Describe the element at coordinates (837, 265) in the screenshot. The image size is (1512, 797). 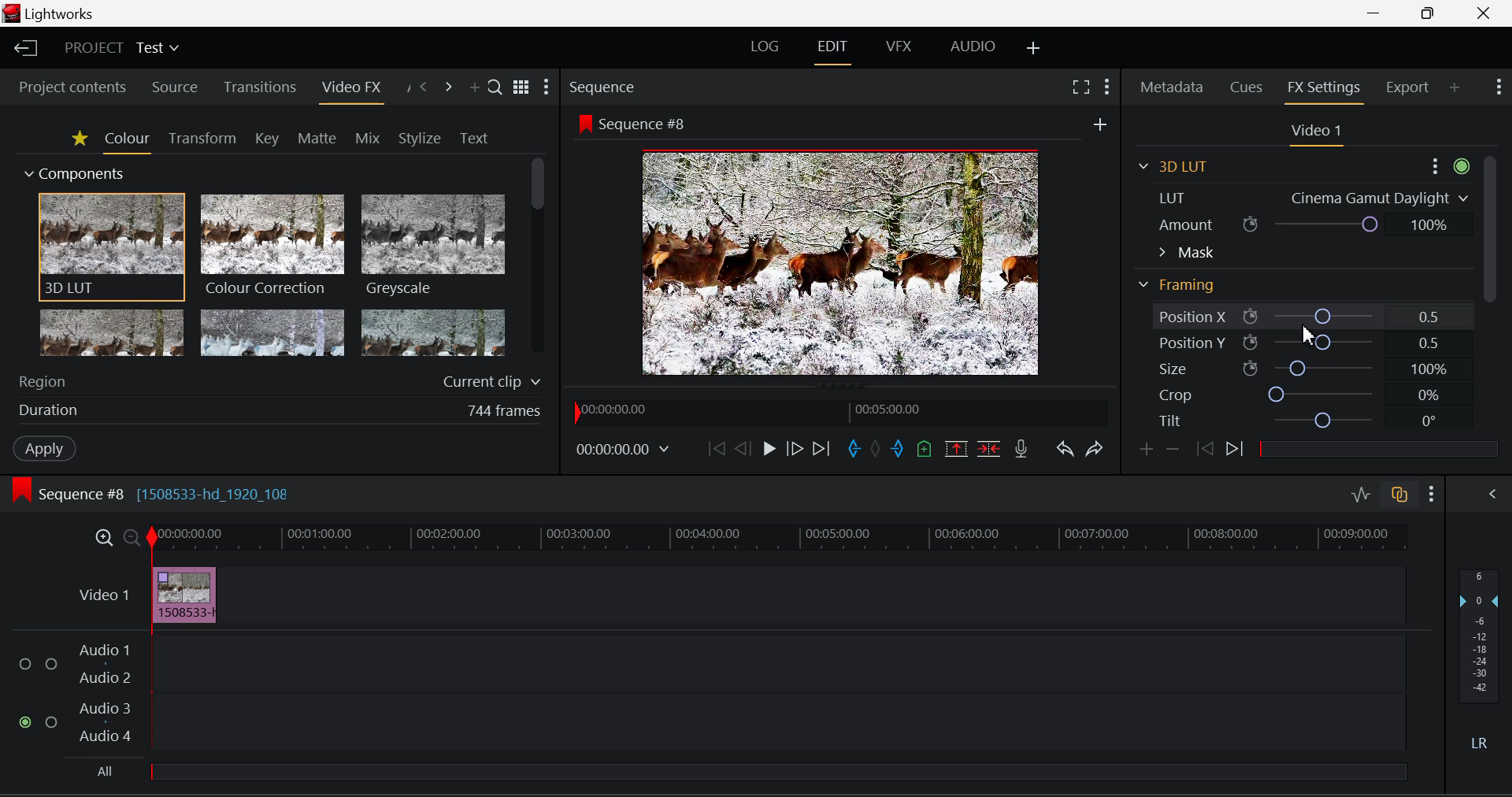
I see `Sequence Preview Screen` at that location.